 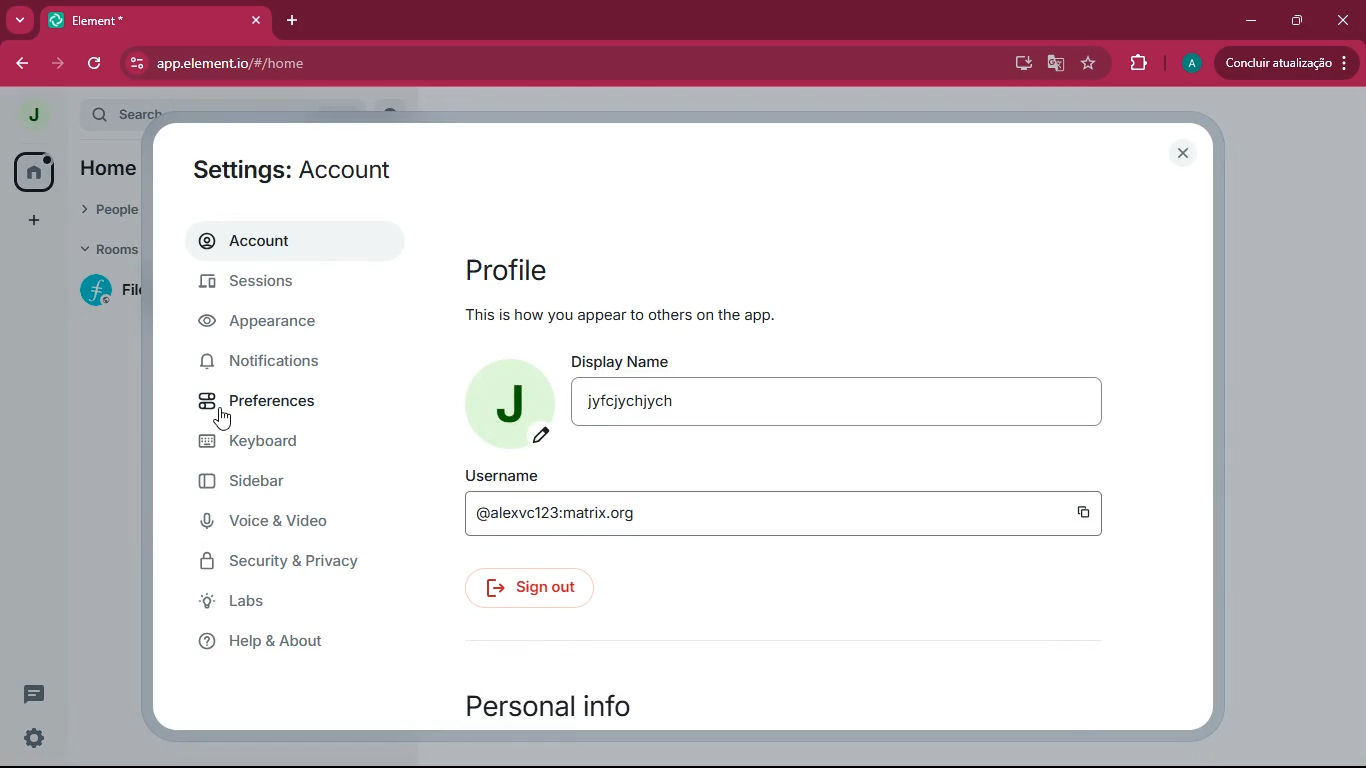 What do you see at coordinates (553, 516) in the screenshot?
I see `@alexvc123:matrix.org` at bounding box center [553, 516].